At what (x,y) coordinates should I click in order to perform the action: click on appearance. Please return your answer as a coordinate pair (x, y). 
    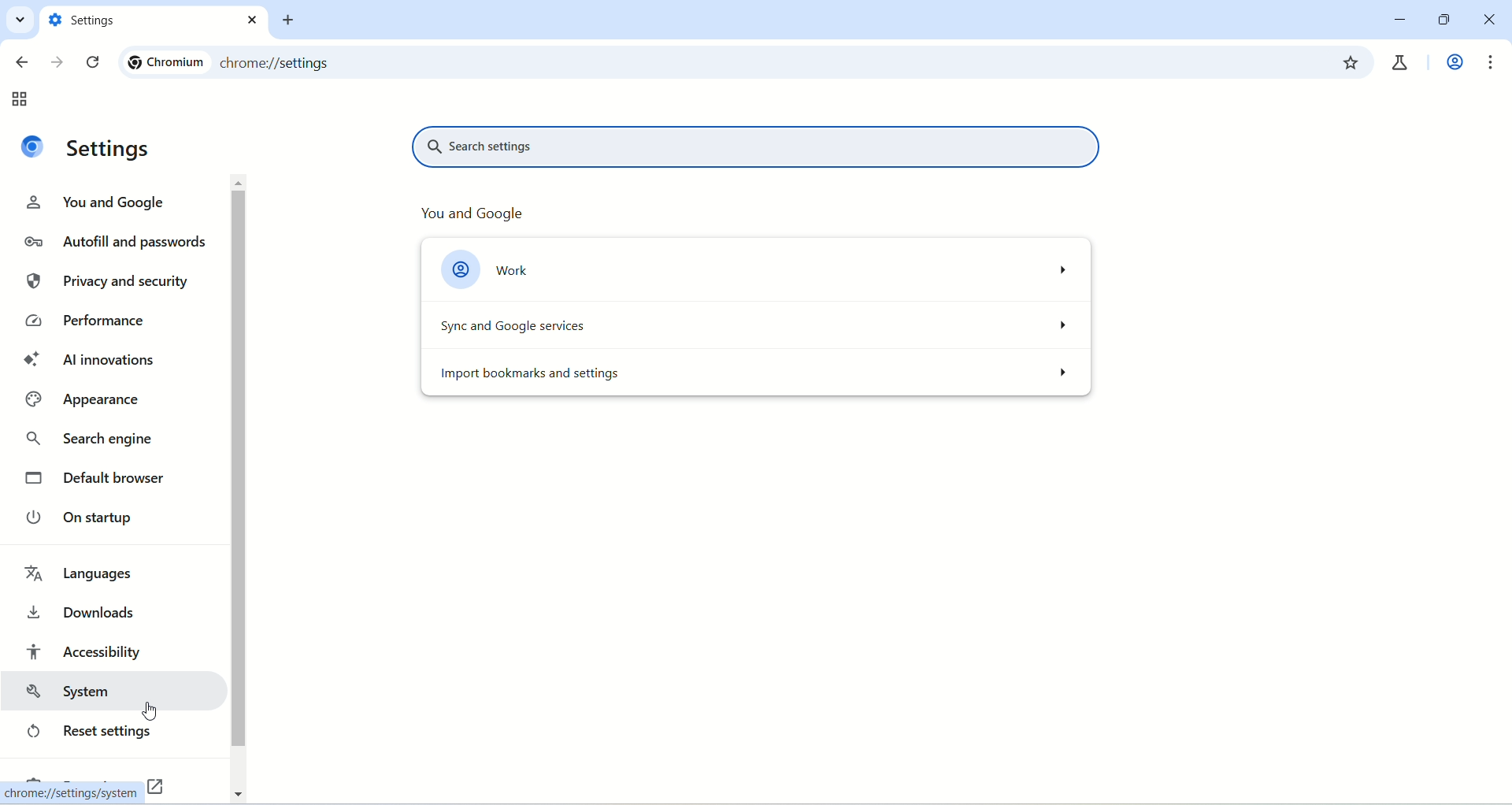
    Looking at the image, I should click on (92, 400).